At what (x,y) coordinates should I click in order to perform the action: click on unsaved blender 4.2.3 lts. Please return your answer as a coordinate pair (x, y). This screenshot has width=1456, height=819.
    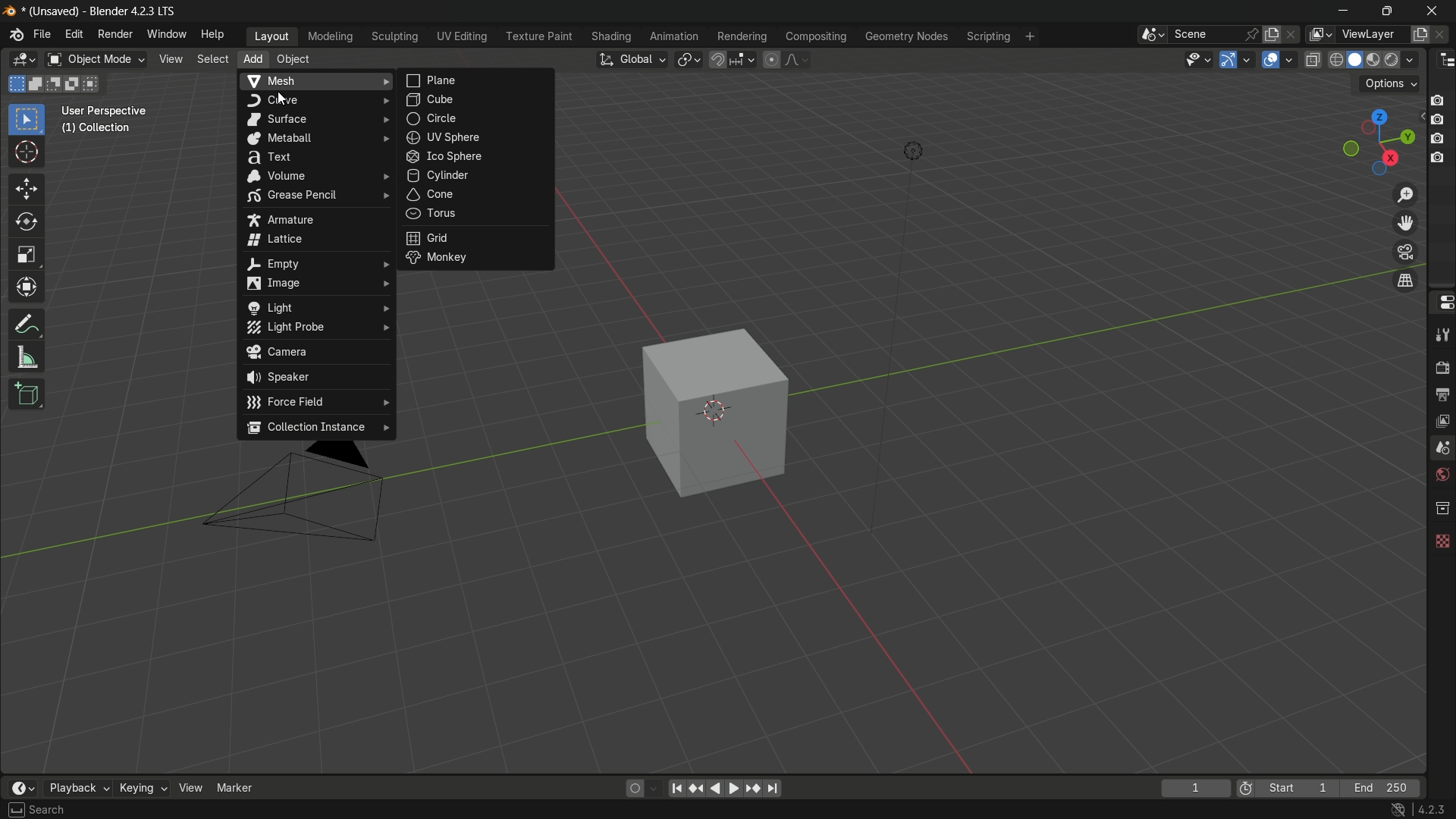
    Looking at the image, I should click on (105, 10).